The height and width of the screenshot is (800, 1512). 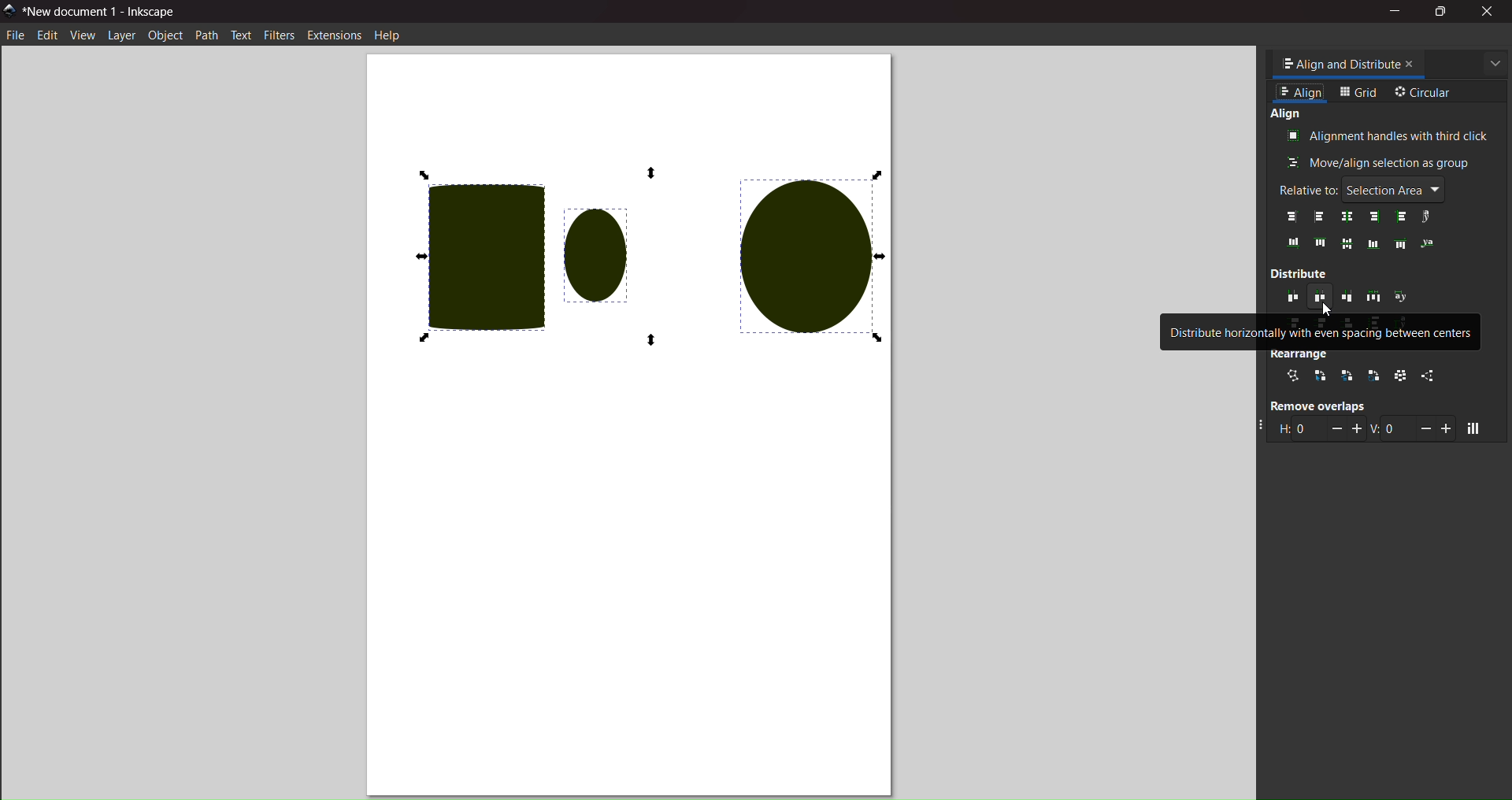 I want to click on top edges , so click(x=1319, y=244).